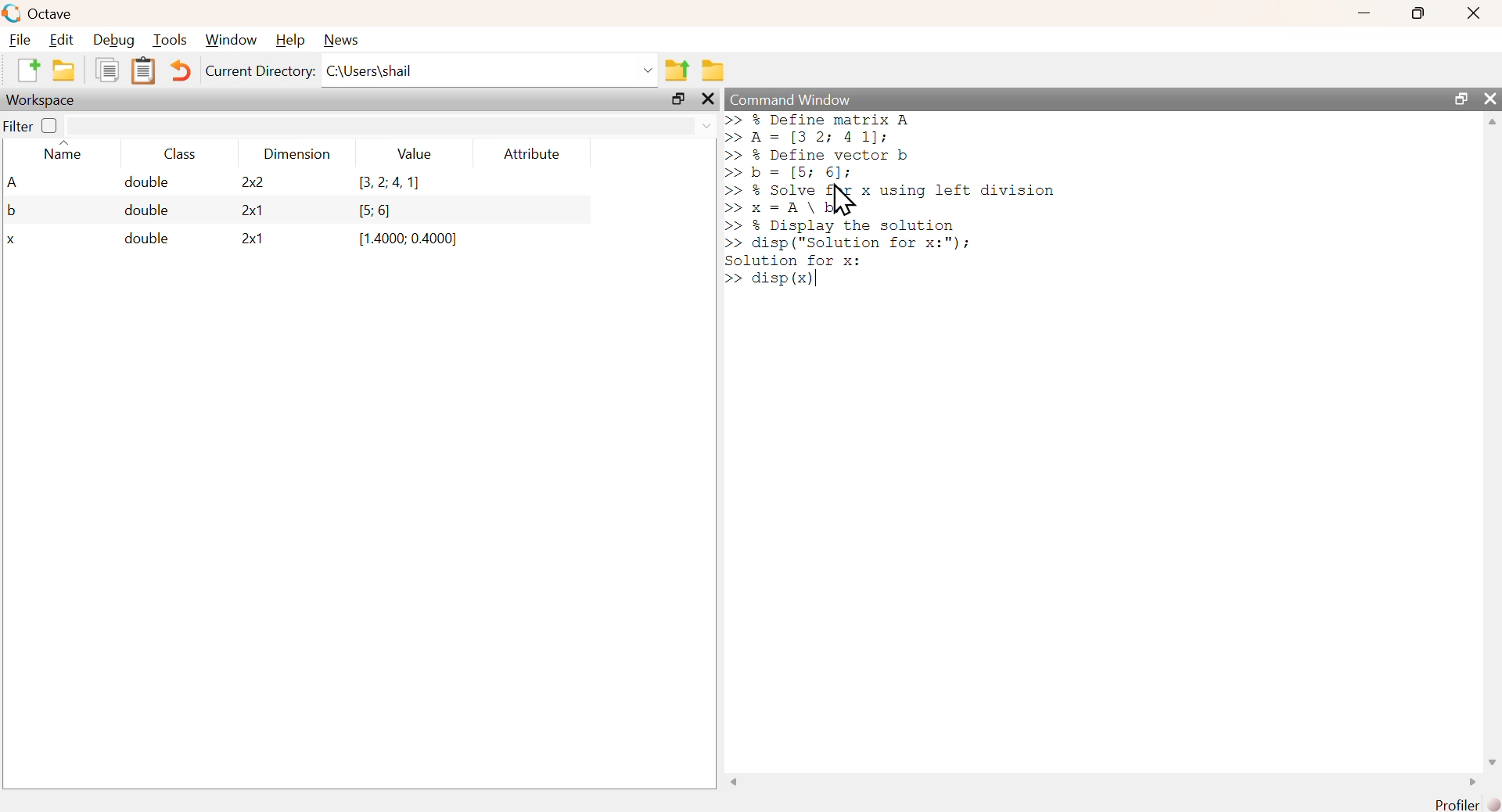 This screenshot has height=812, width=1502. Describe the element at coordinates (113, 41) in the screenshot. I see `debug` at that location.